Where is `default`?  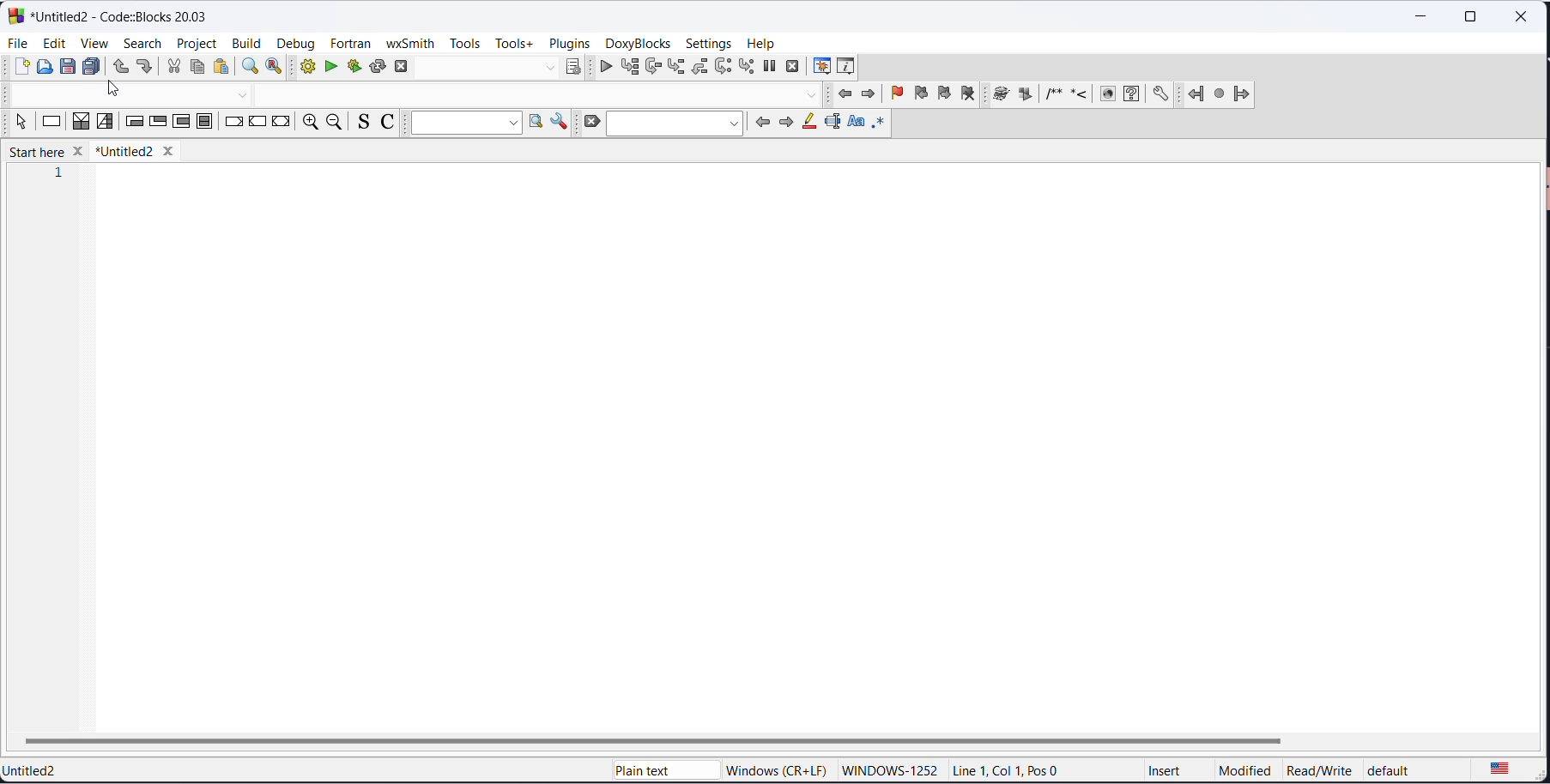 default is located at coordinates (1418, 769).